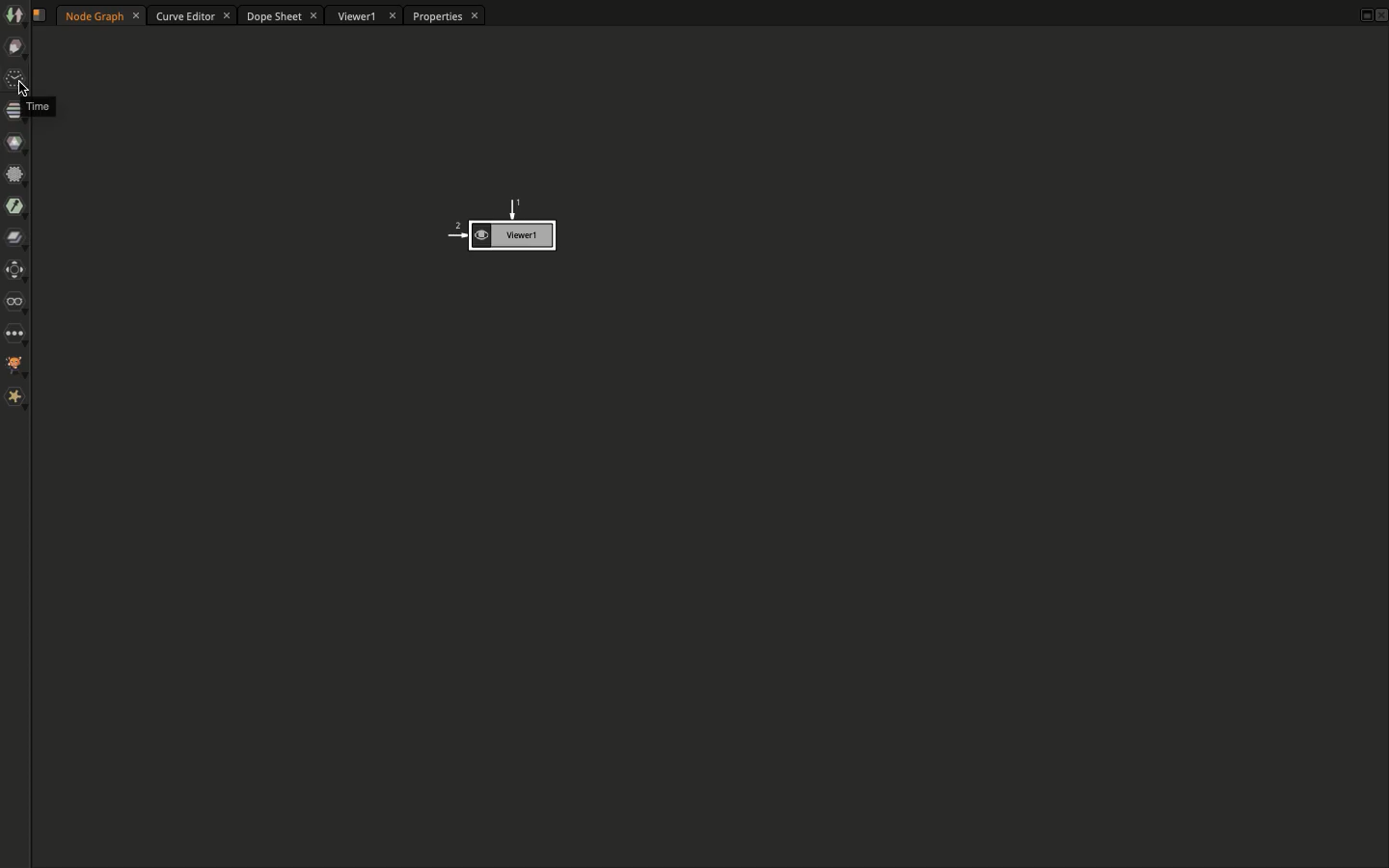  Describe the element at coordinates (16, 366) in the screenshot. I see `GMI` at that location.